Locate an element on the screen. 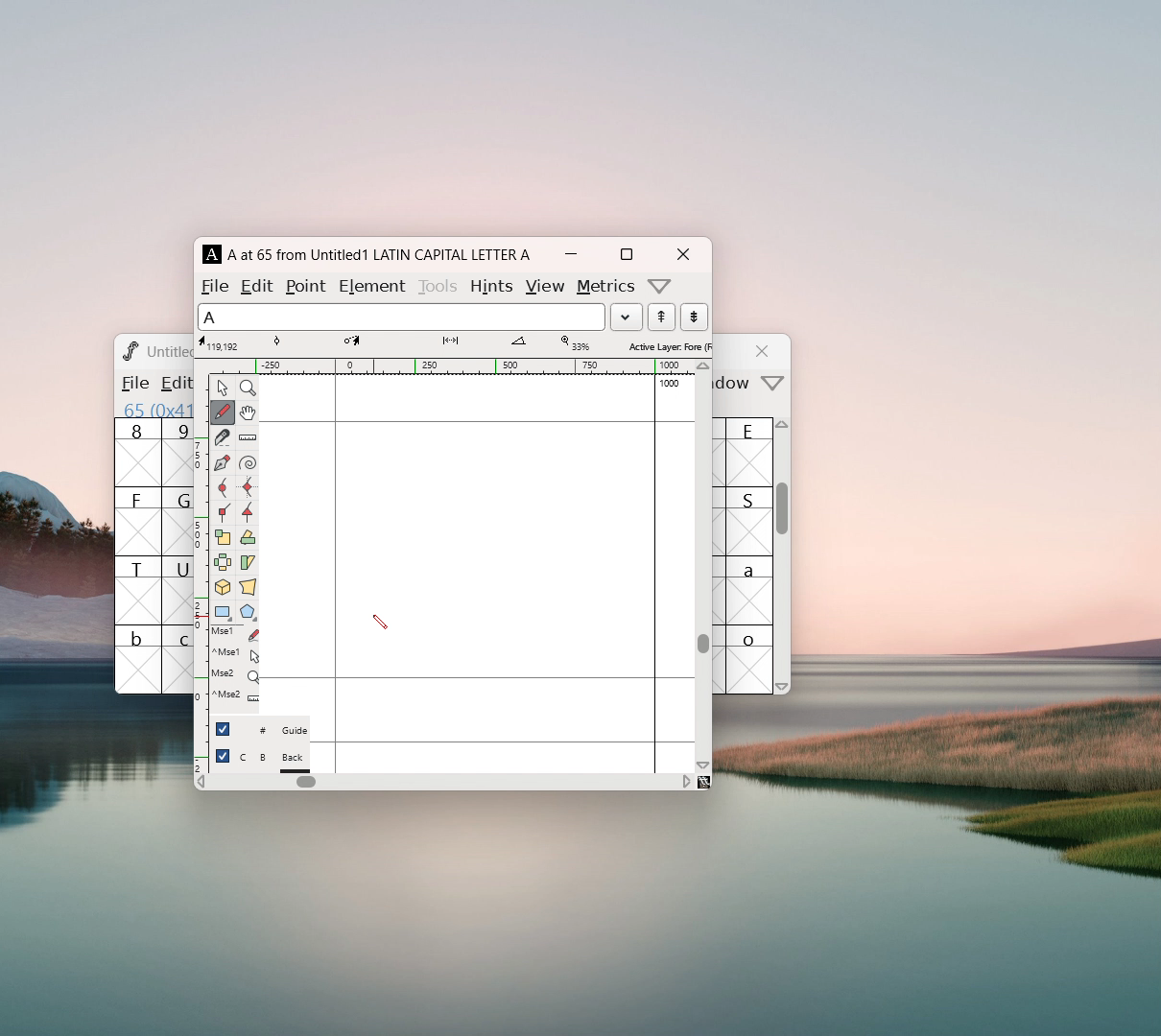  Mse2 is located at coordinates (235, 674).